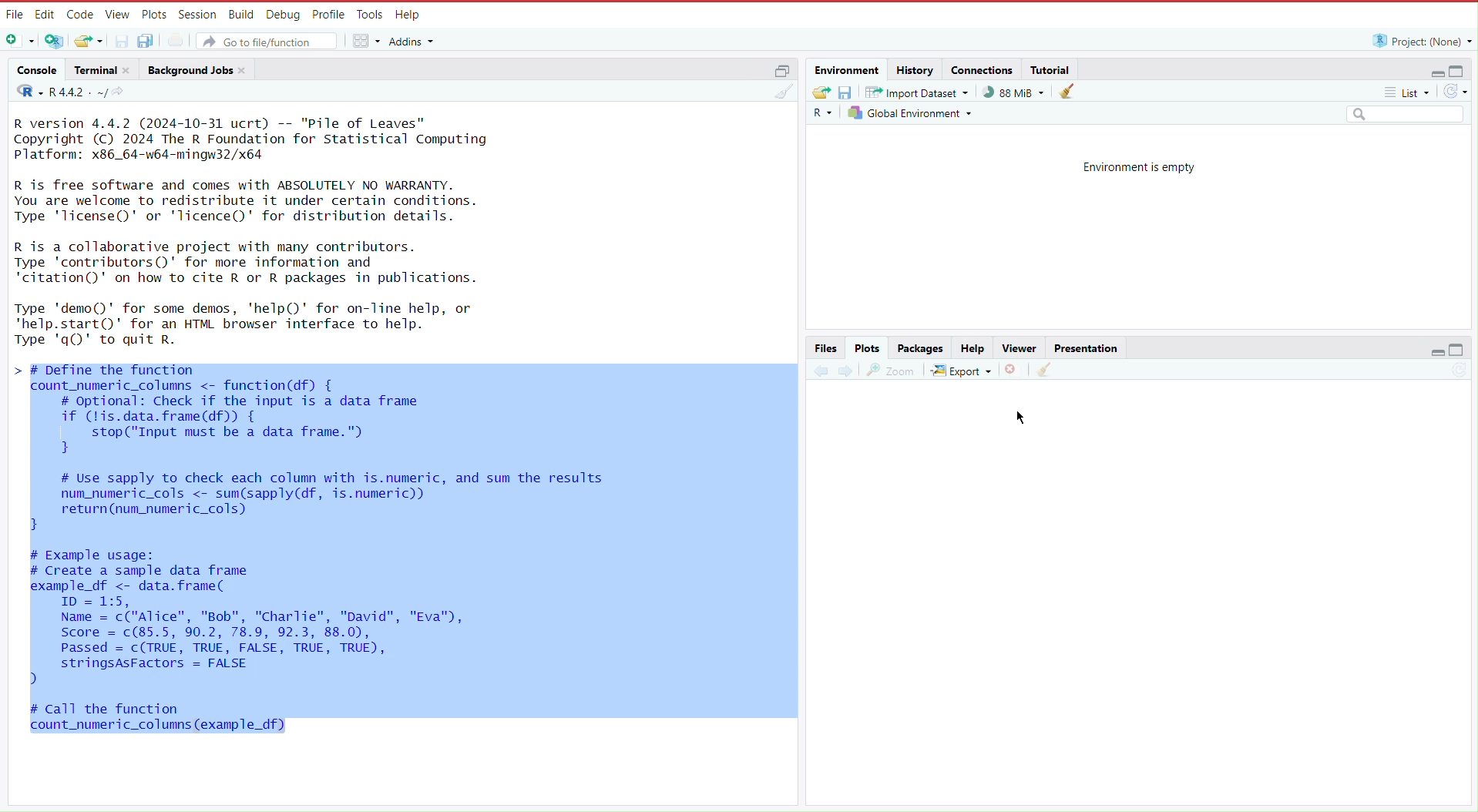  What do you see at coordinates (821, 368) in the screenshot?
I see `Go back to the previous source location (Ctrl + F9)` at bounding box center [821, 368].